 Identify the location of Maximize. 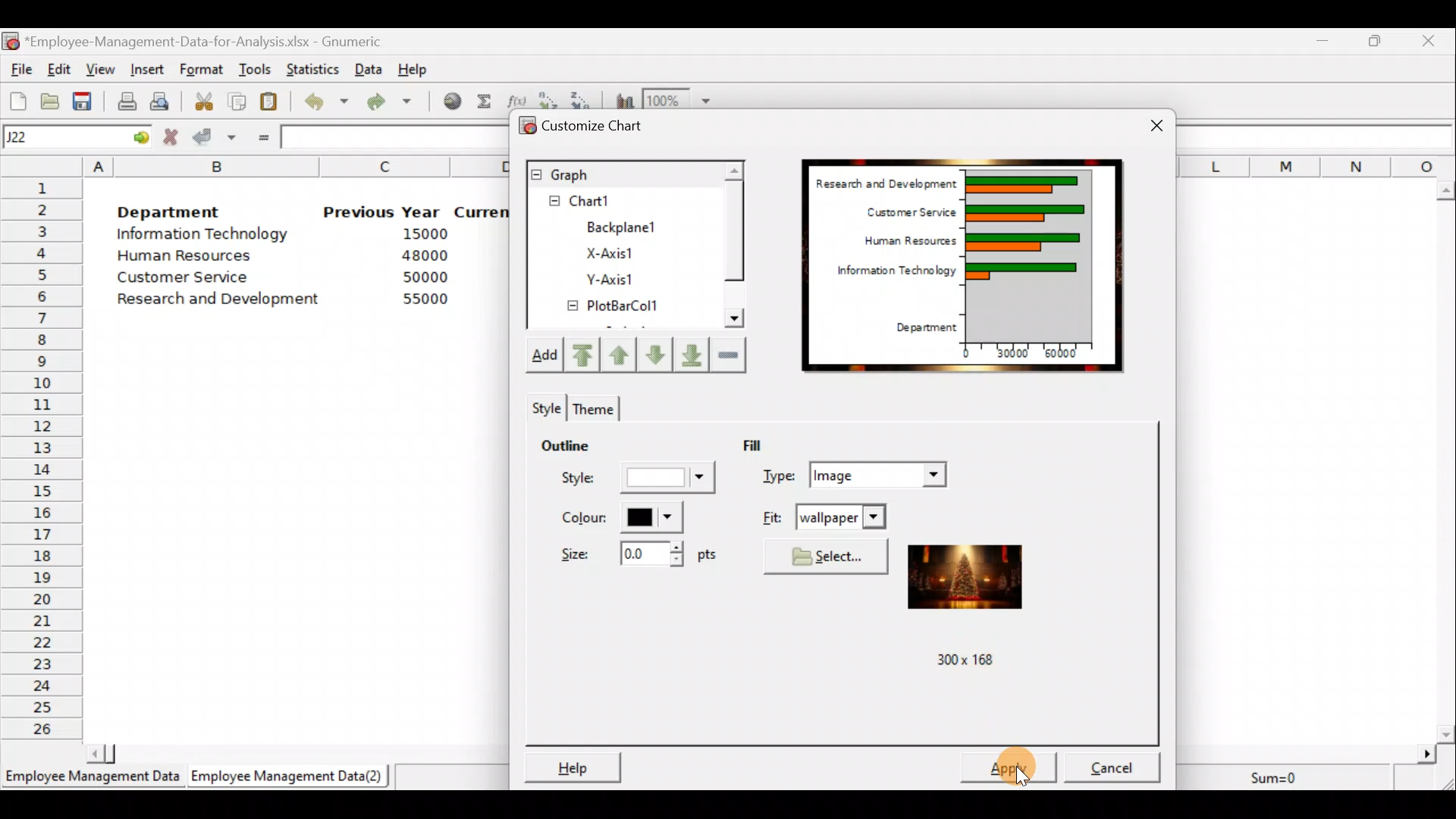
(1378, 41).